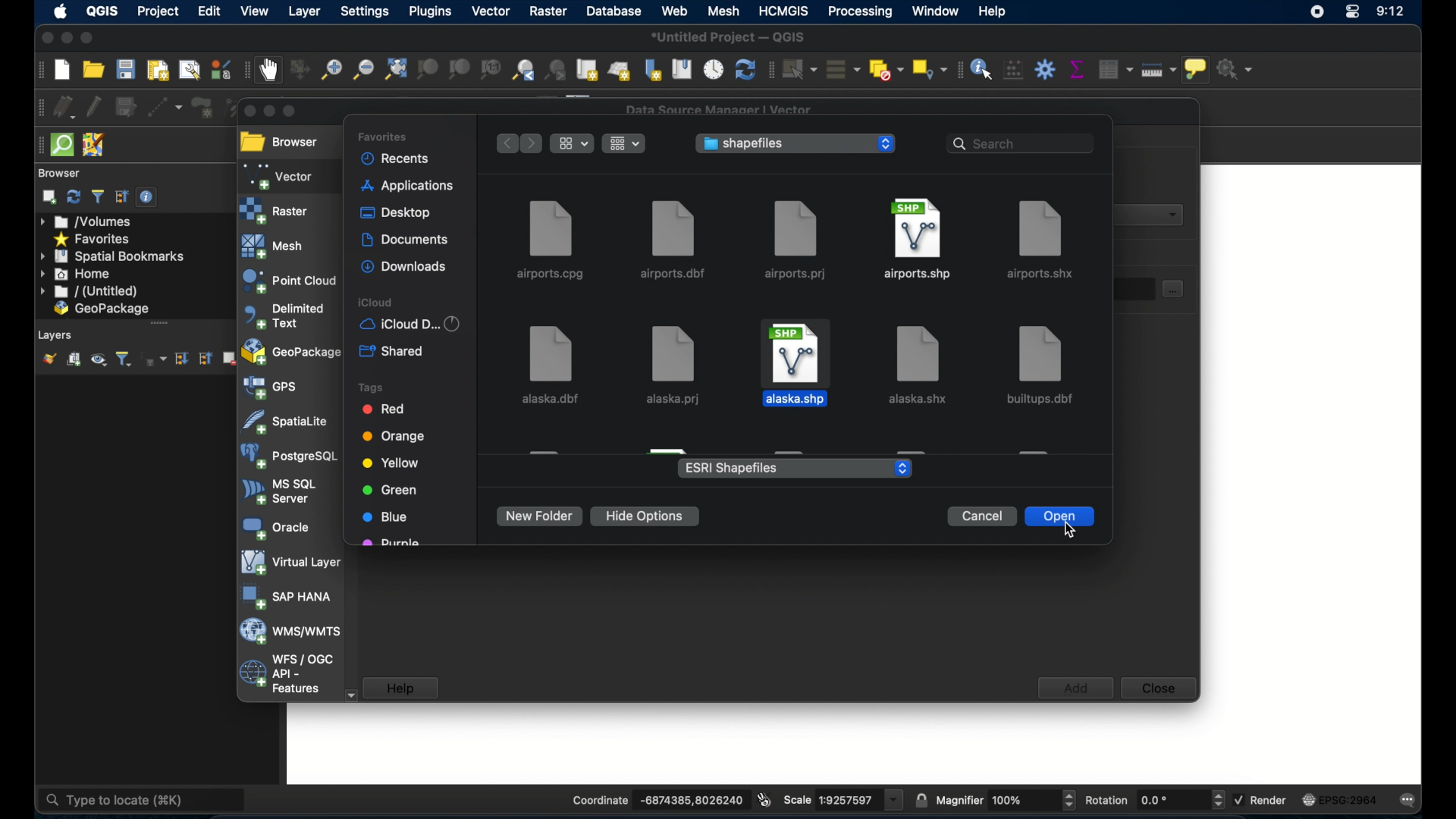 This screenshot has height=819, width=1456. I want to click on airports.shp, so click(916, 239).